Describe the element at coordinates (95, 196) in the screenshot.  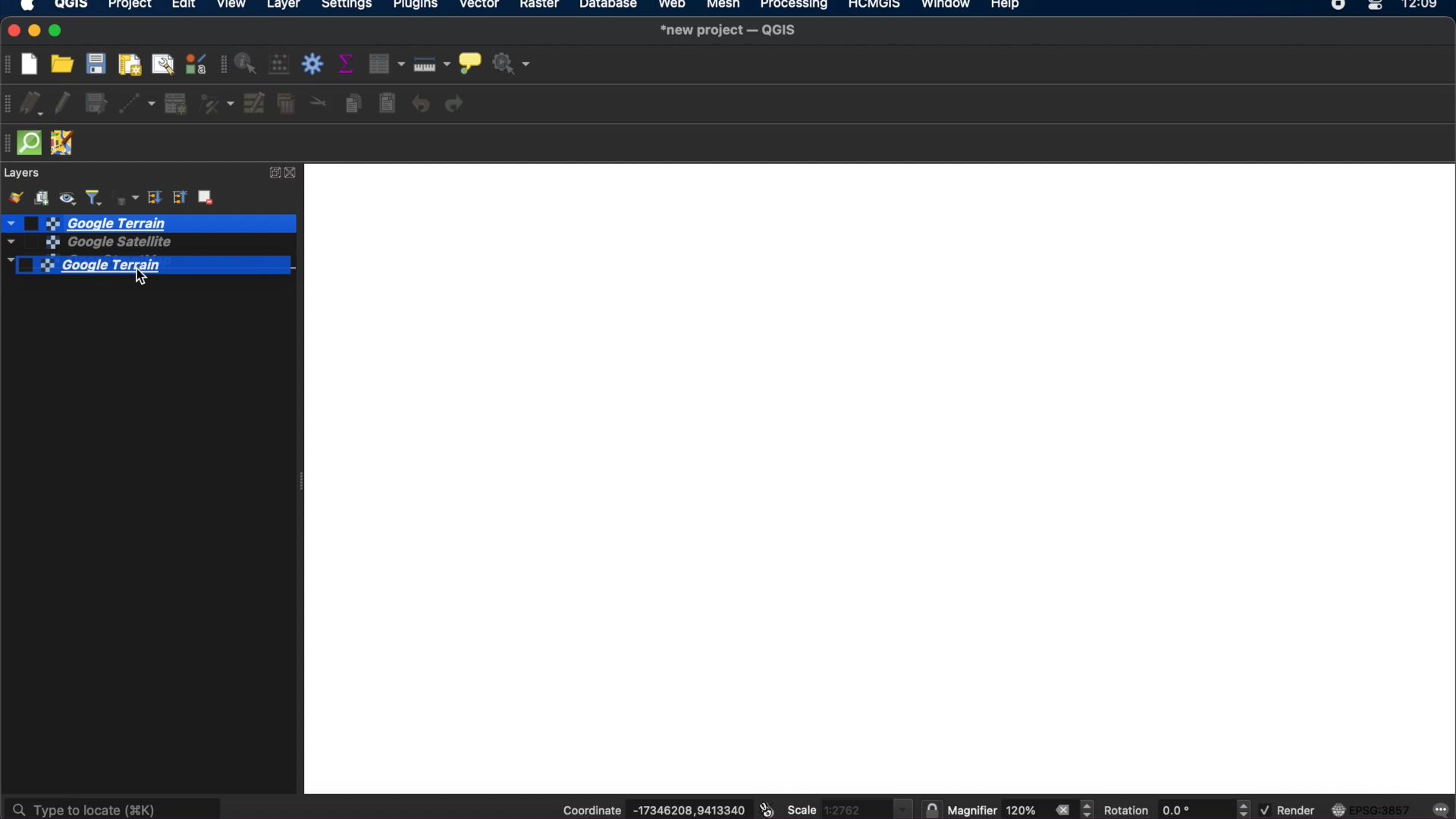
I see `filter legend` at that location.